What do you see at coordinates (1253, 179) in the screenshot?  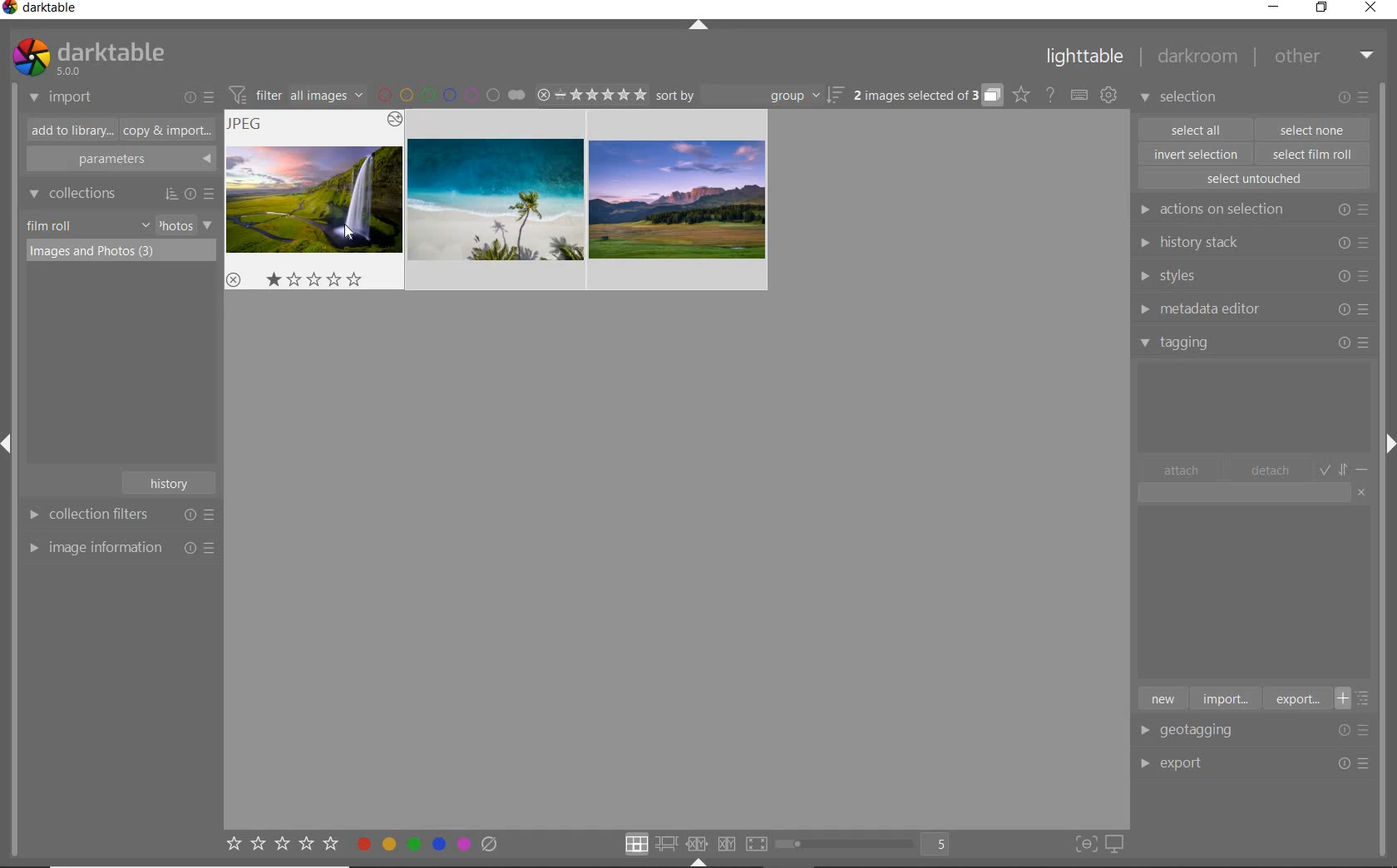 I see `select untouched` at bounding box center [1253, 179].